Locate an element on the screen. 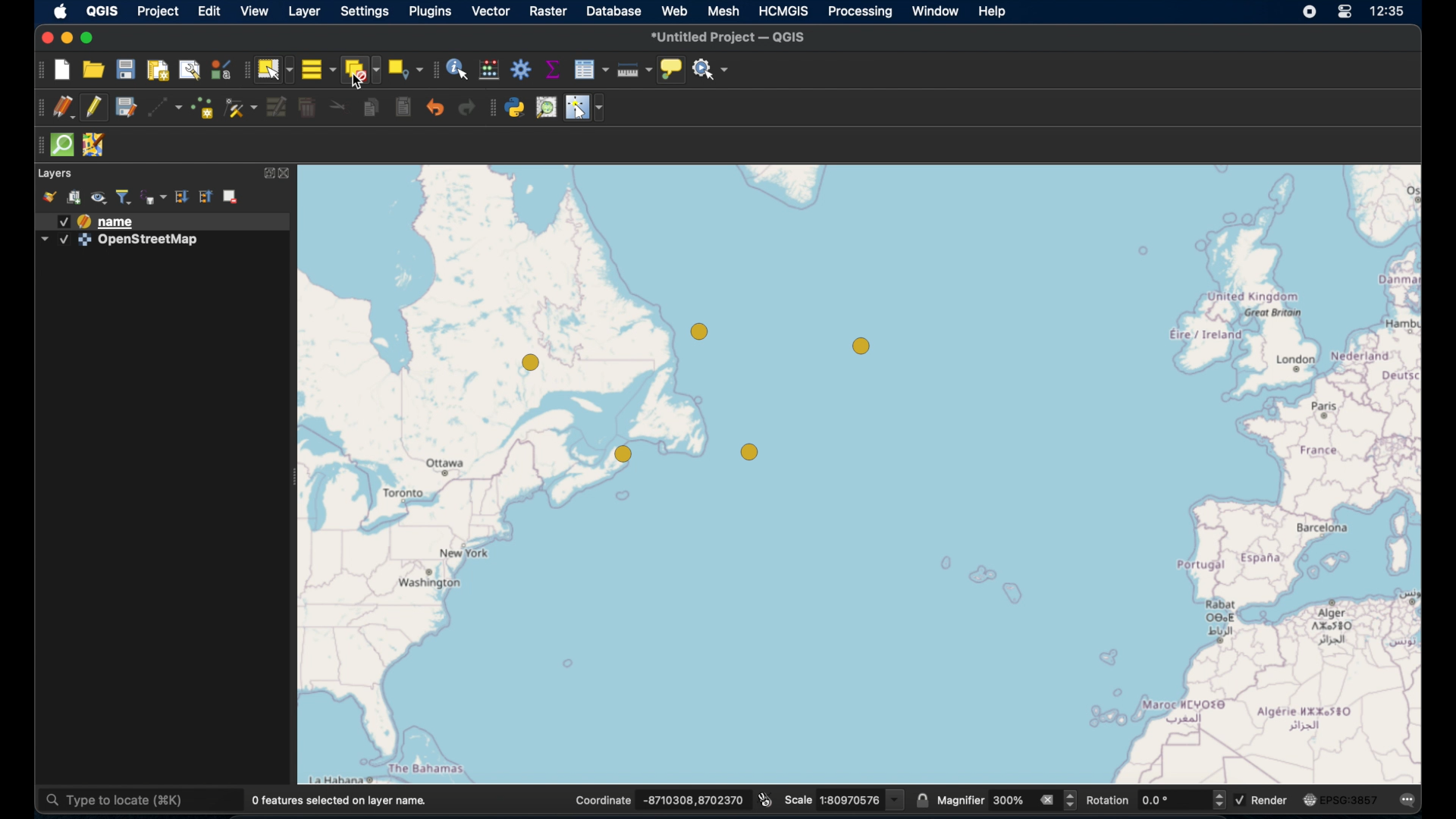  layer is located at coordinates (305, 13).